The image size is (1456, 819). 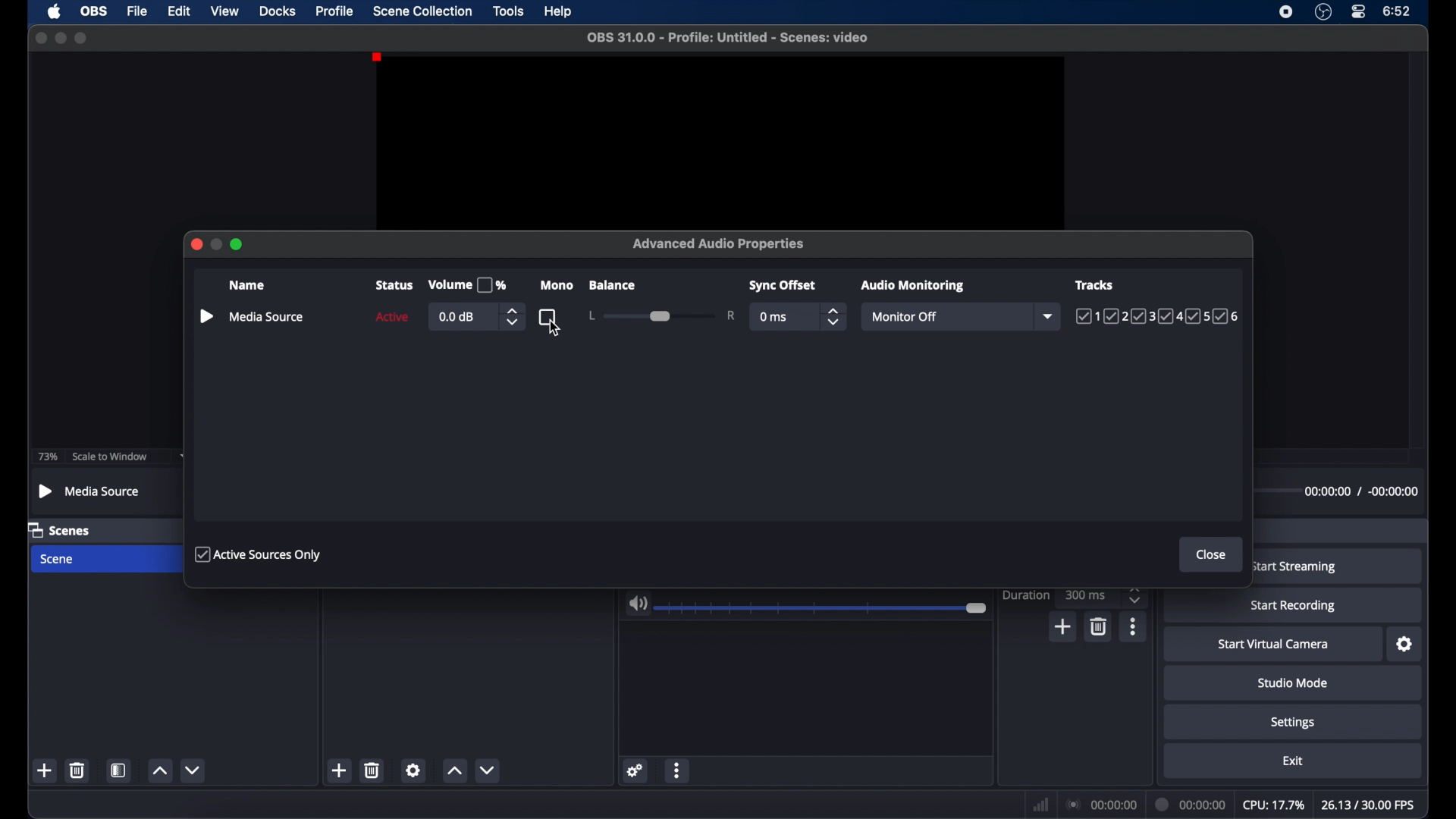 What do you see at coordinates (548, 314) in the screenshot?
I see `checkbox` at bounding box center [548, 314].